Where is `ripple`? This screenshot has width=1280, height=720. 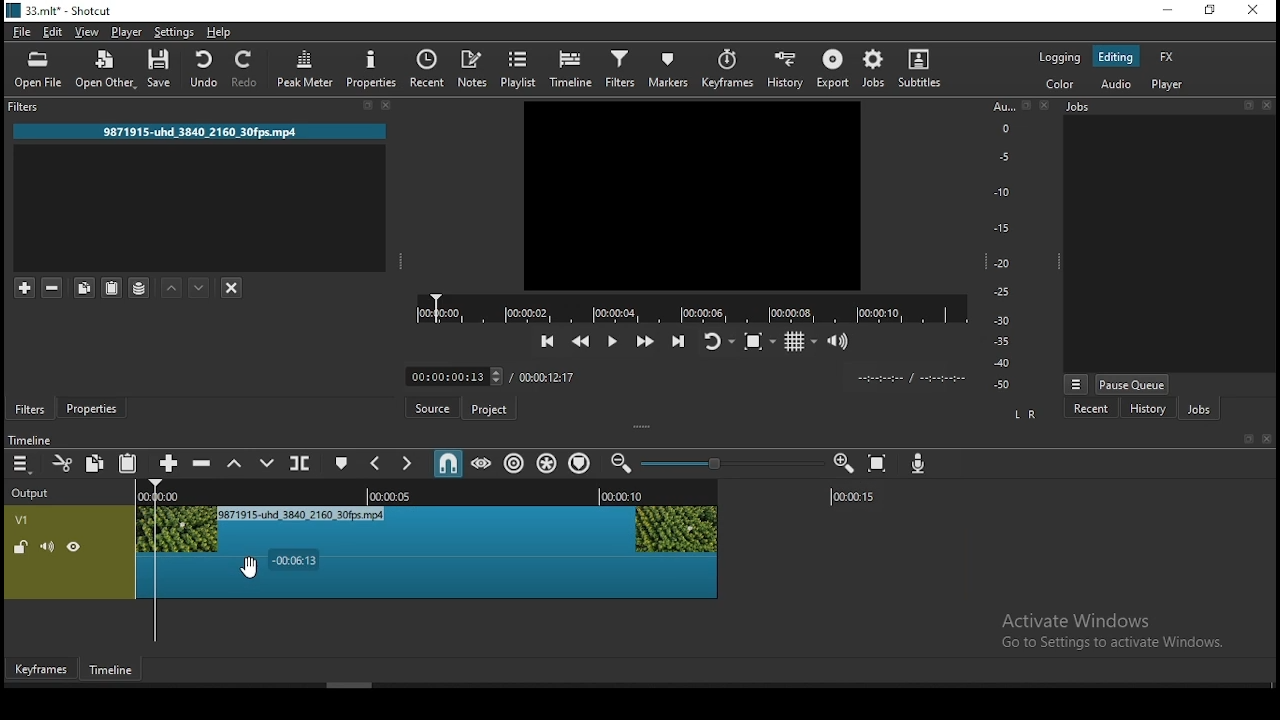 ripple is located at coordinates (516, 464).